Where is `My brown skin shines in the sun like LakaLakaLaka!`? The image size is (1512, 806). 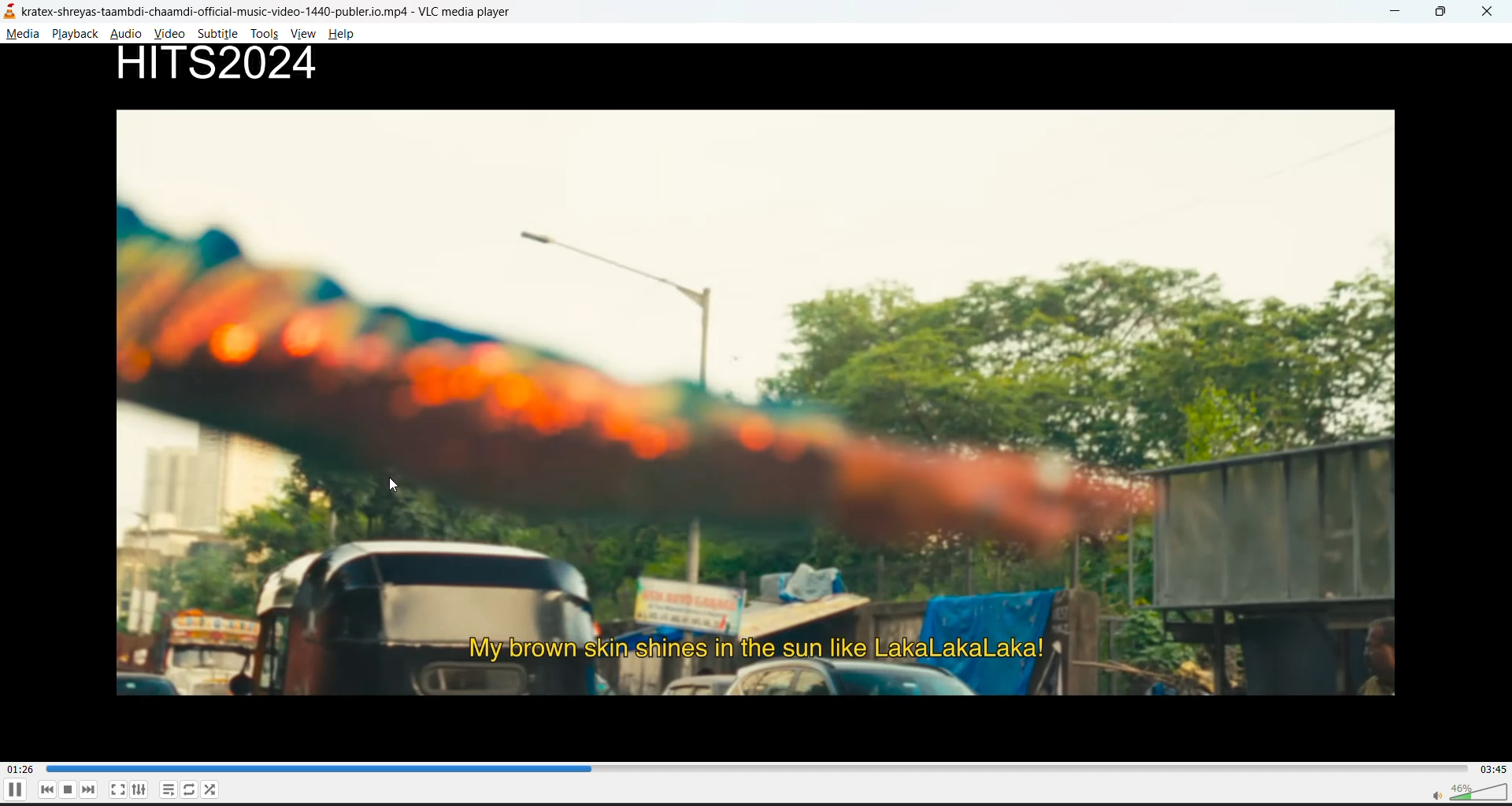
My brown skin shines in the sun like LakaLakaLaka! is located at coordinates (770, 644).